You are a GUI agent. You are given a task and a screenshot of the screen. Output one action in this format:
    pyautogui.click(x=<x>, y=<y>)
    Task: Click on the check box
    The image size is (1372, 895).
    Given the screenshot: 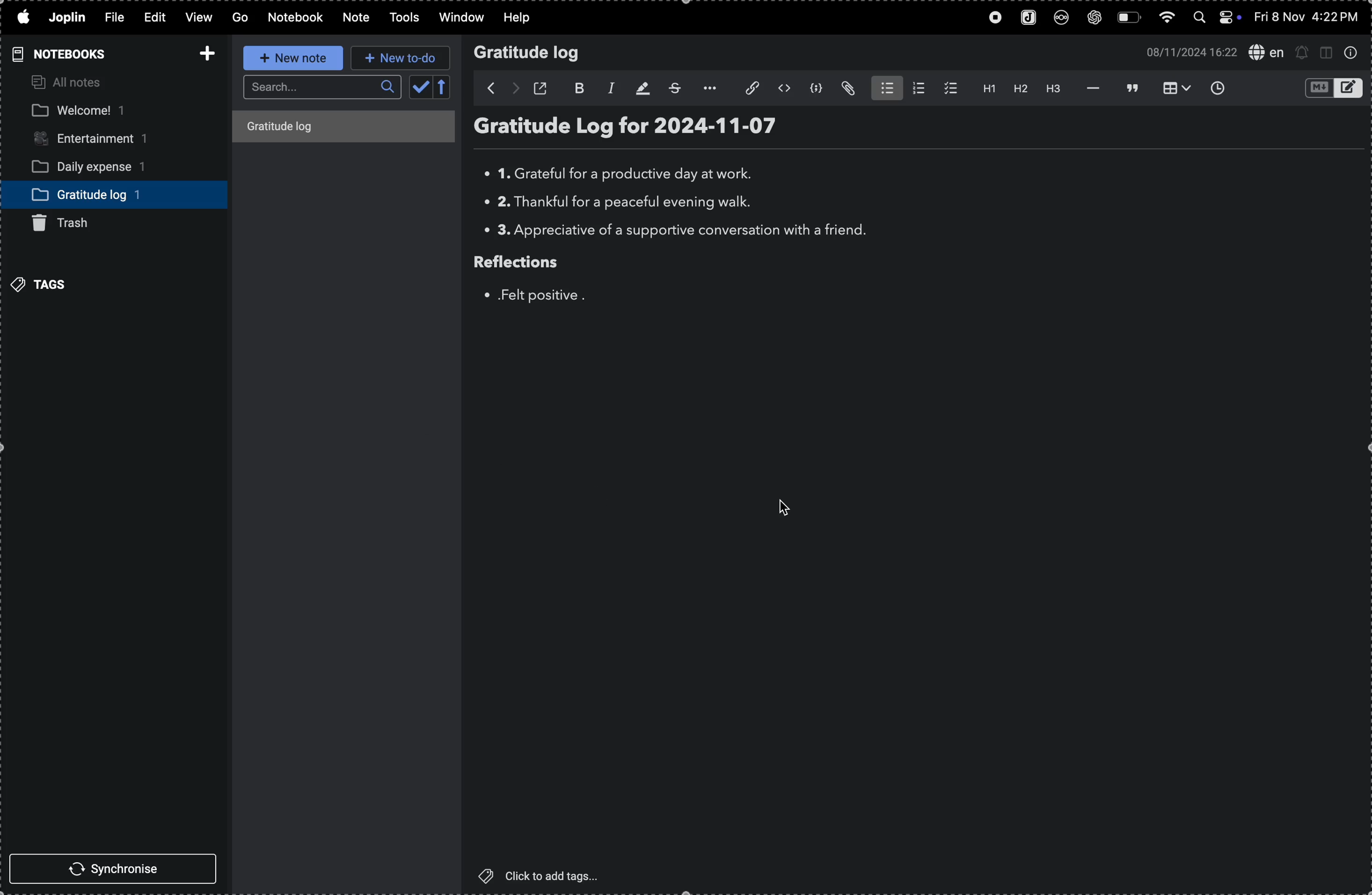 What is the action you would take?
    pyautogui.click(x=949, y=88)
    